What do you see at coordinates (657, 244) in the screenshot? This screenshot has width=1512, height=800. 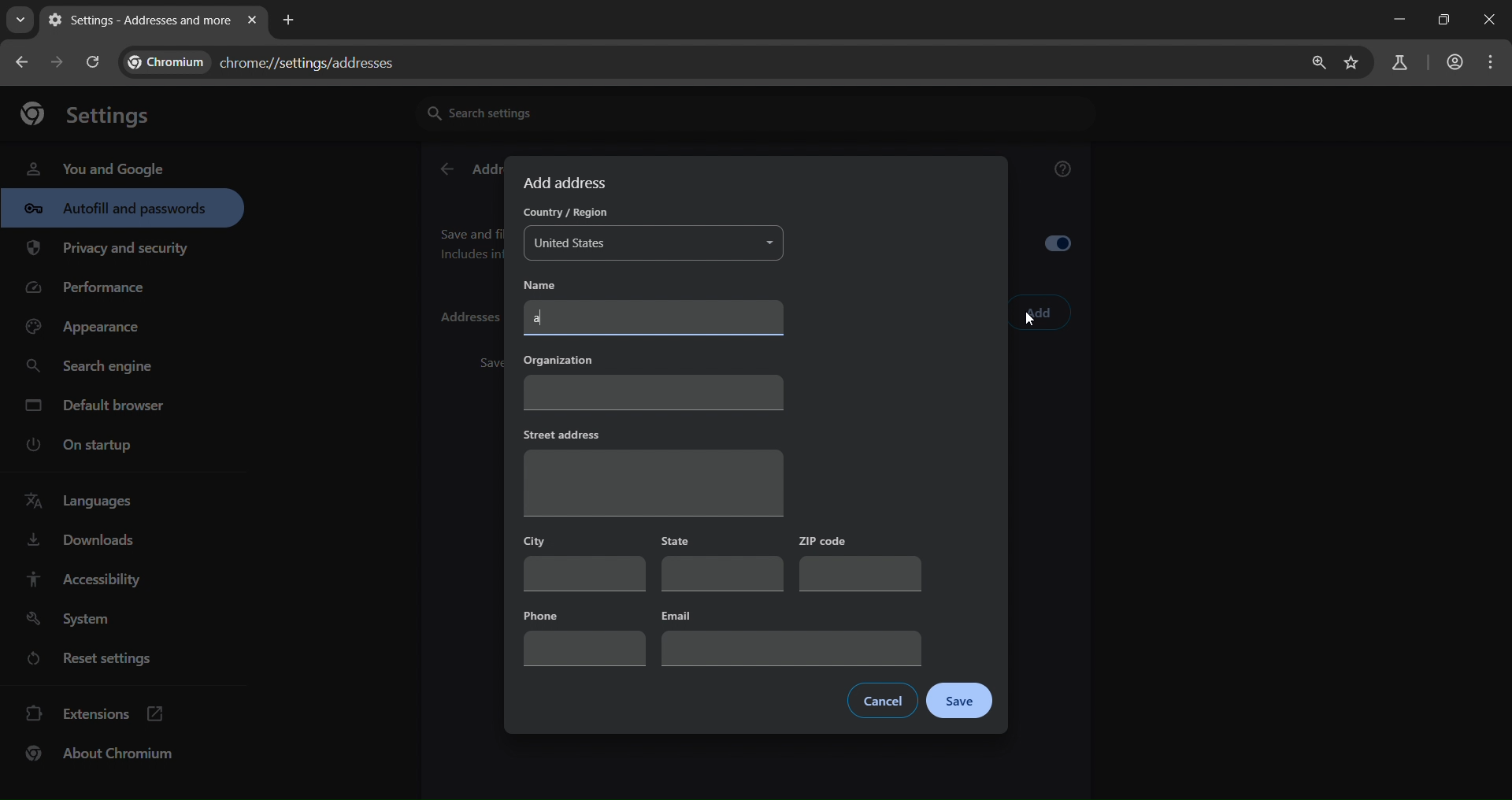 I see `united states` at bounding box center [657, 244].